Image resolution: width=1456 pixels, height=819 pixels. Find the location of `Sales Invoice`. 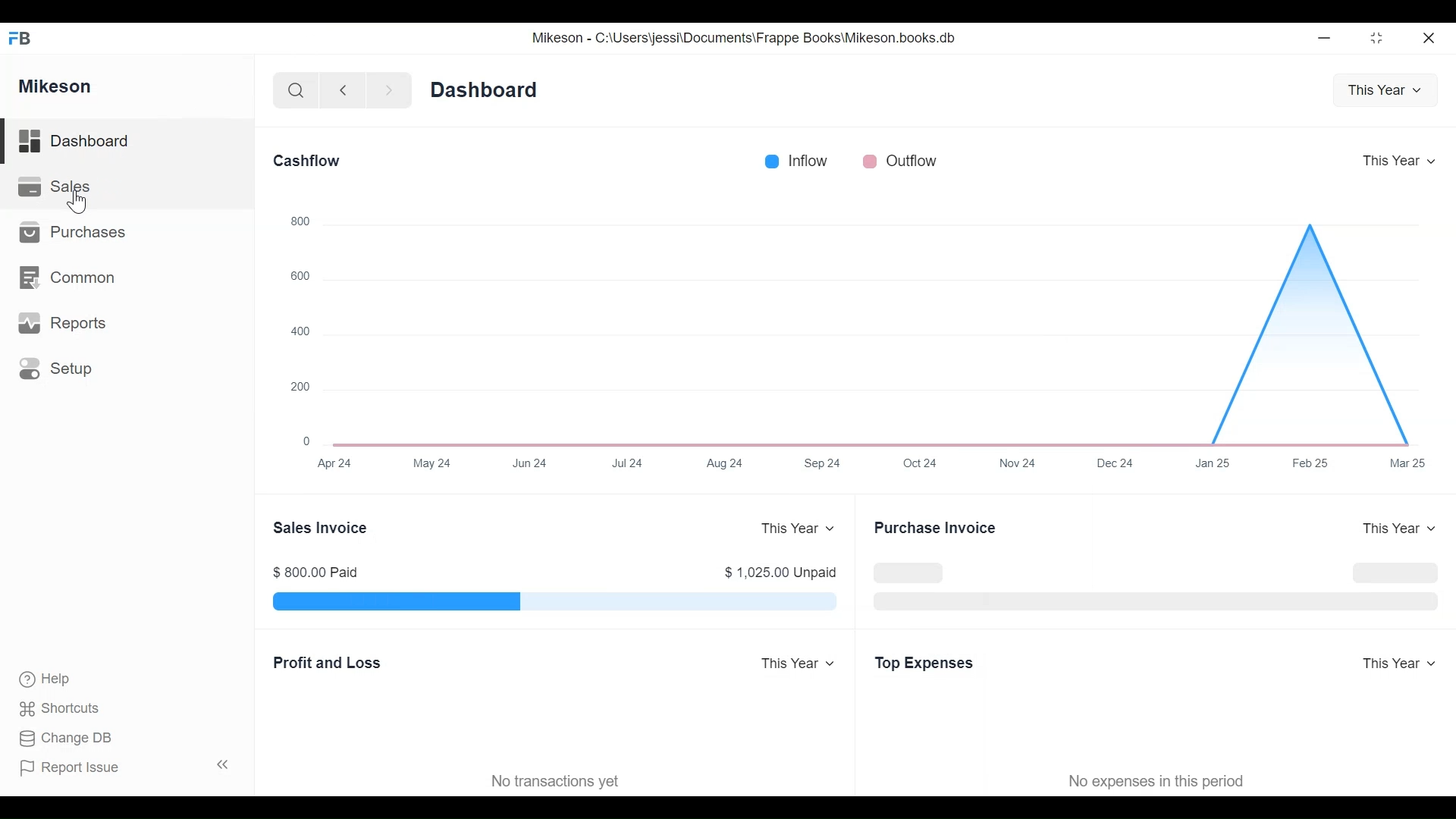

Sales Invoice is located at coordinates (322, 527).